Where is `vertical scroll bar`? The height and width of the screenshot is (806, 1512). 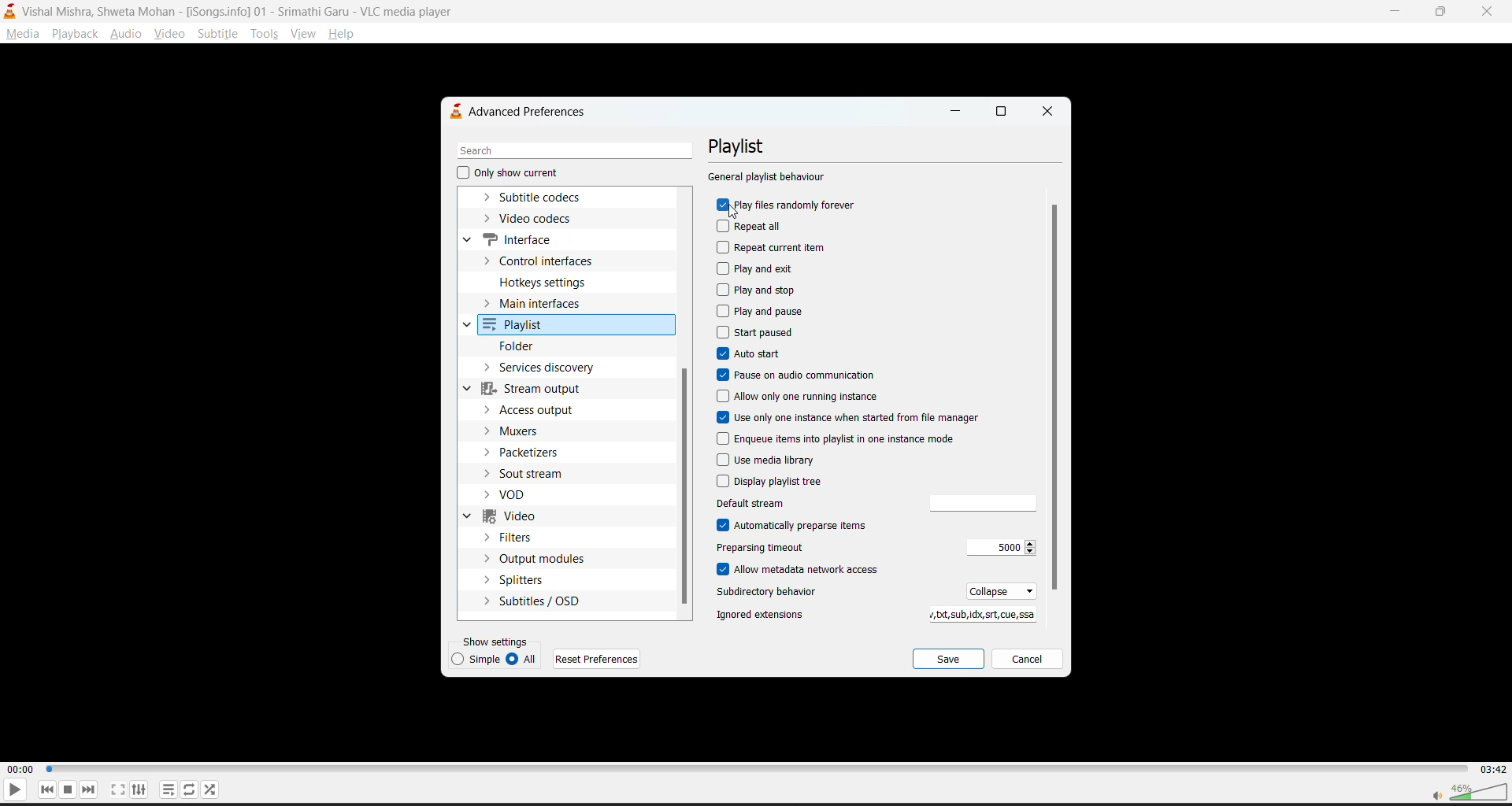 vertical scroll bar is located at coordinates (684, 487).